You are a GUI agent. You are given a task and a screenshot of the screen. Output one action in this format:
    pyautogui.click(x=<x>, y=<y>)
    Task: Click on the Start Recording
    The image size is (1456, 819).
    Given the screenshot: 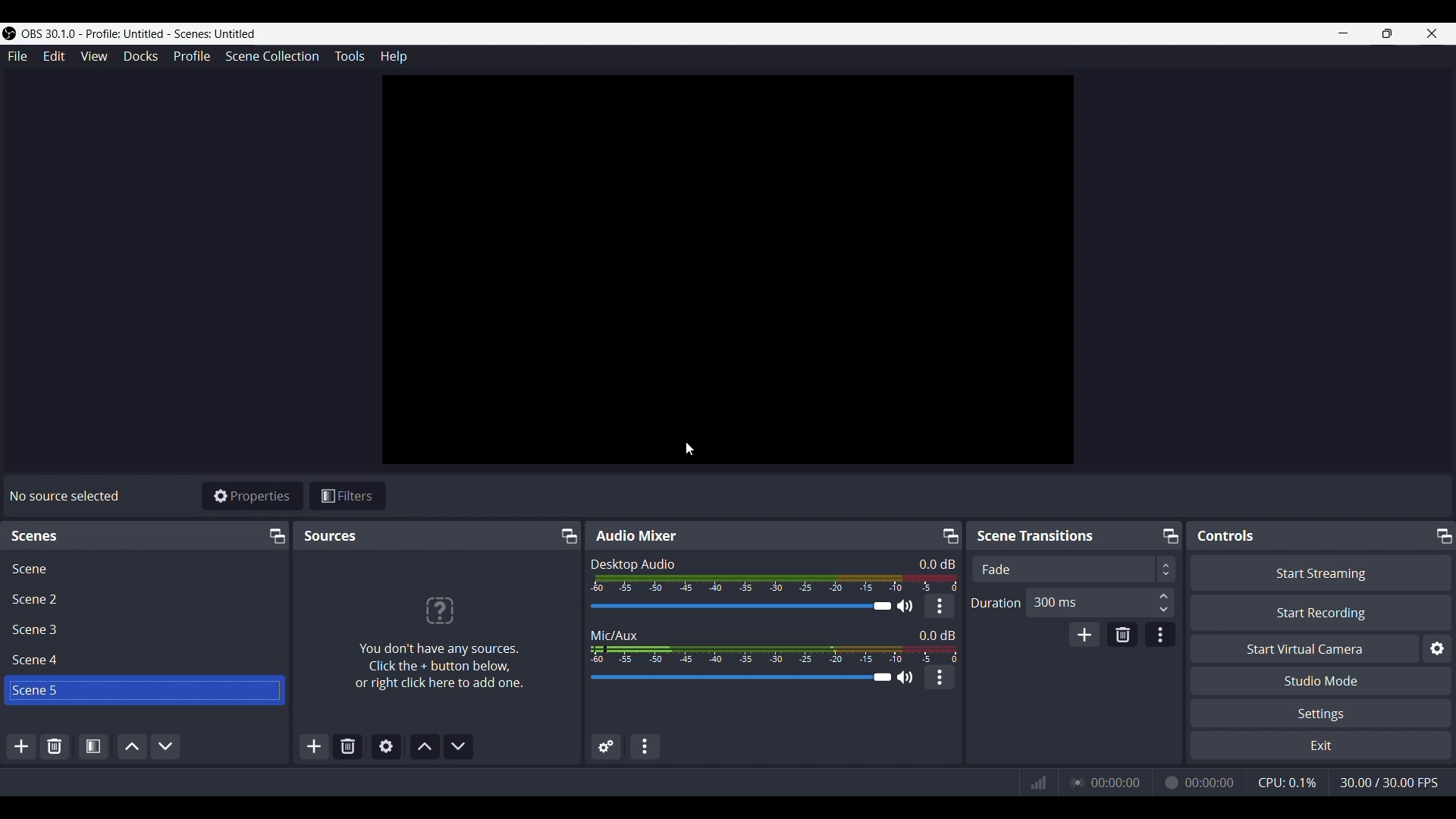 What is the action you would take?
    pyautogui.click(x=1320, y=613)
    